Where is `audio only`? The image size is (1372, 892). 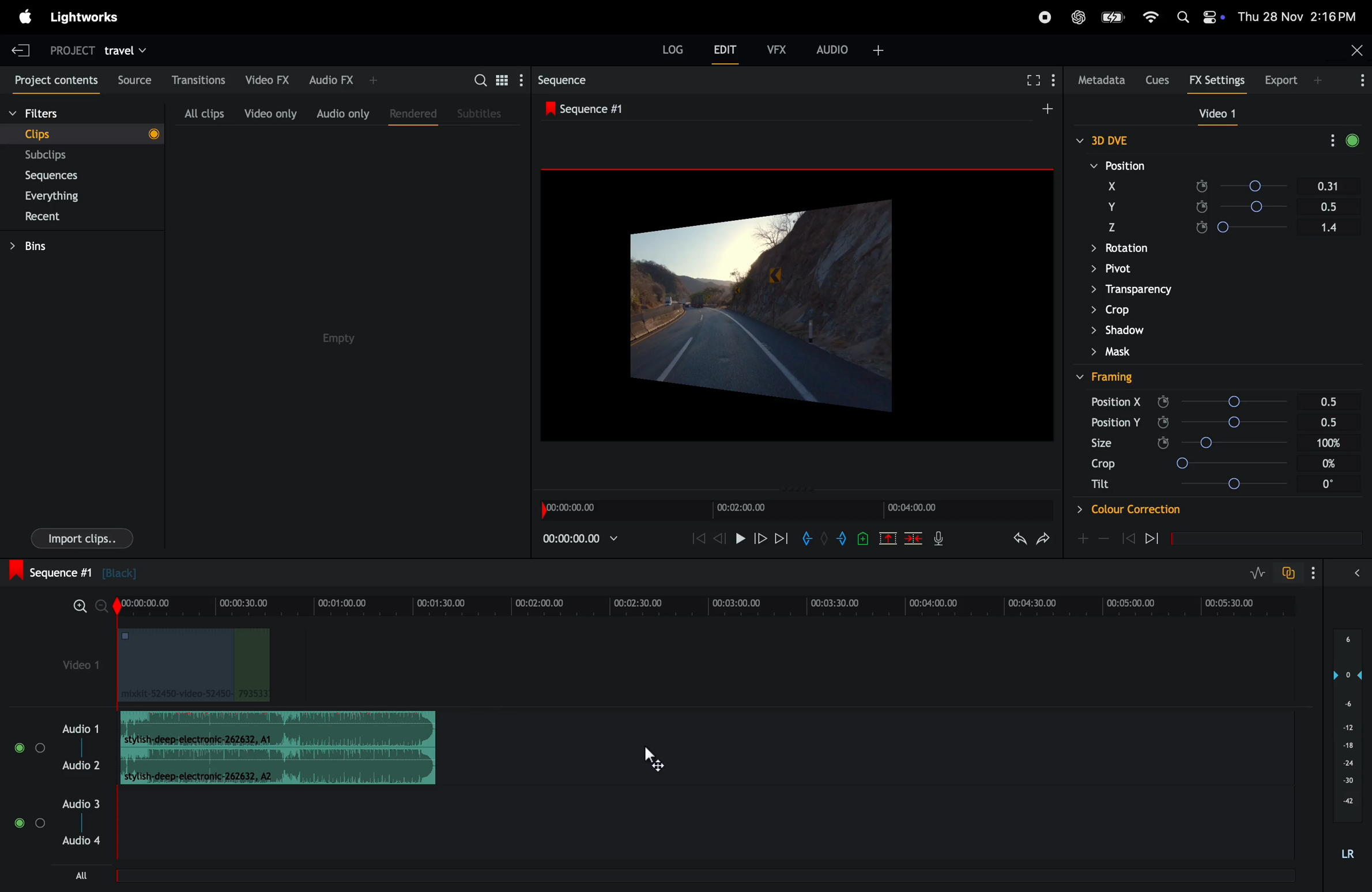
audio only is located at coordinates (342, 113).